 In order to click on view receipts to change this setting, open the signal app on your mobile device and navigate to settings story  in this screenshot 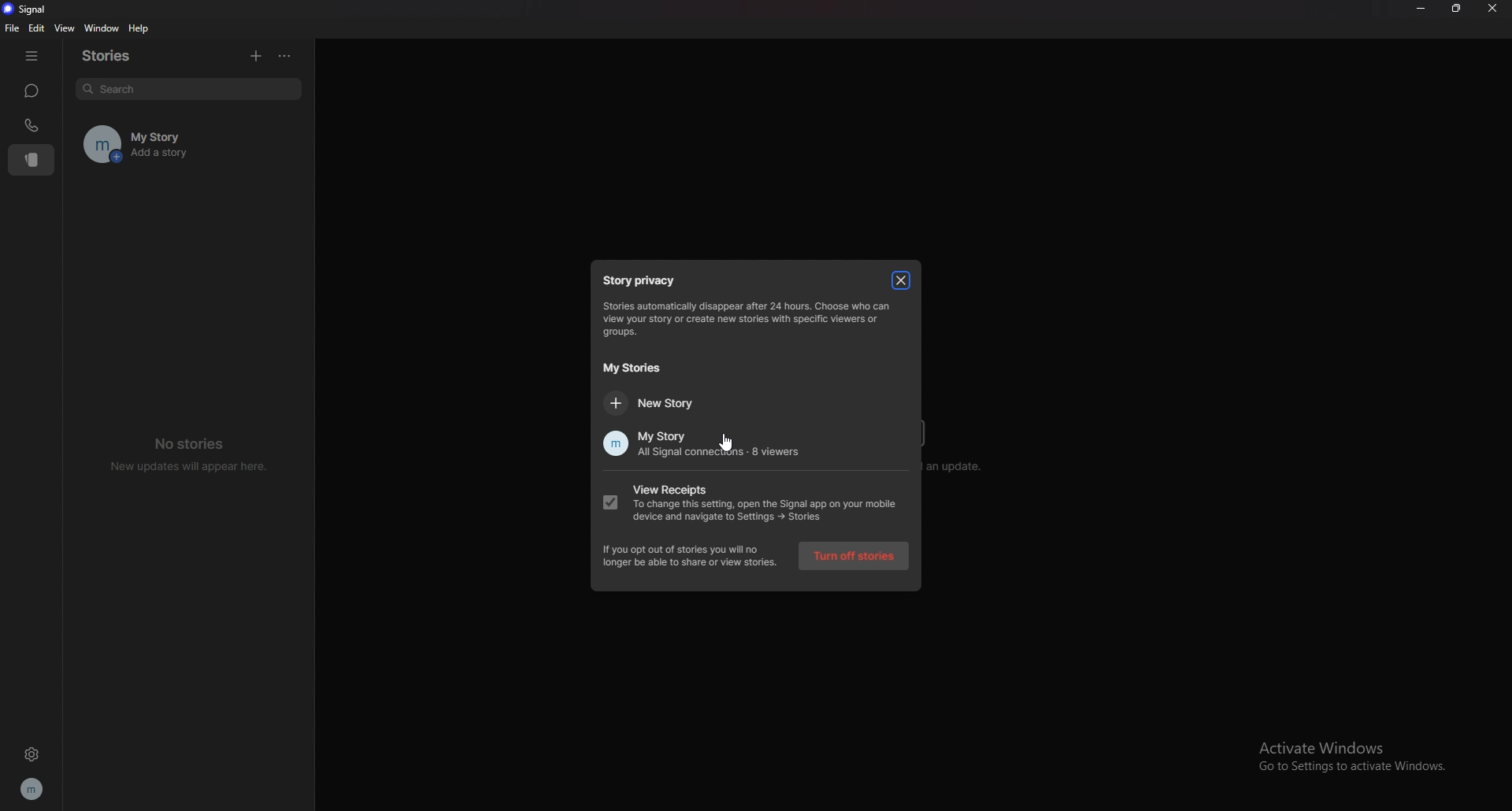, I will do `click(754, 503)`.